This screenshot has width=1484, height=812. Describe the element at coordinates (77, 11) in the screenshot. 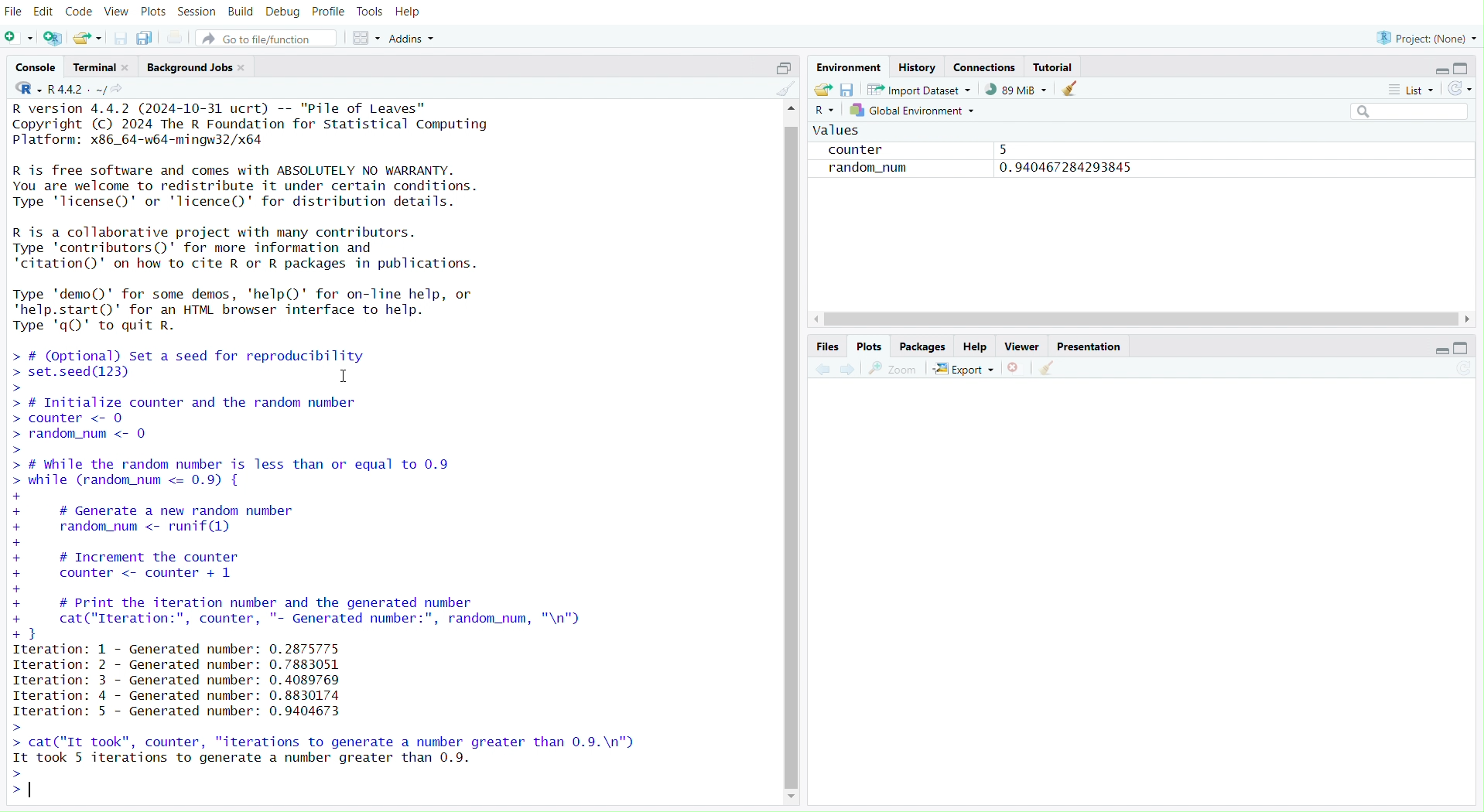

I see `Code` at that location.